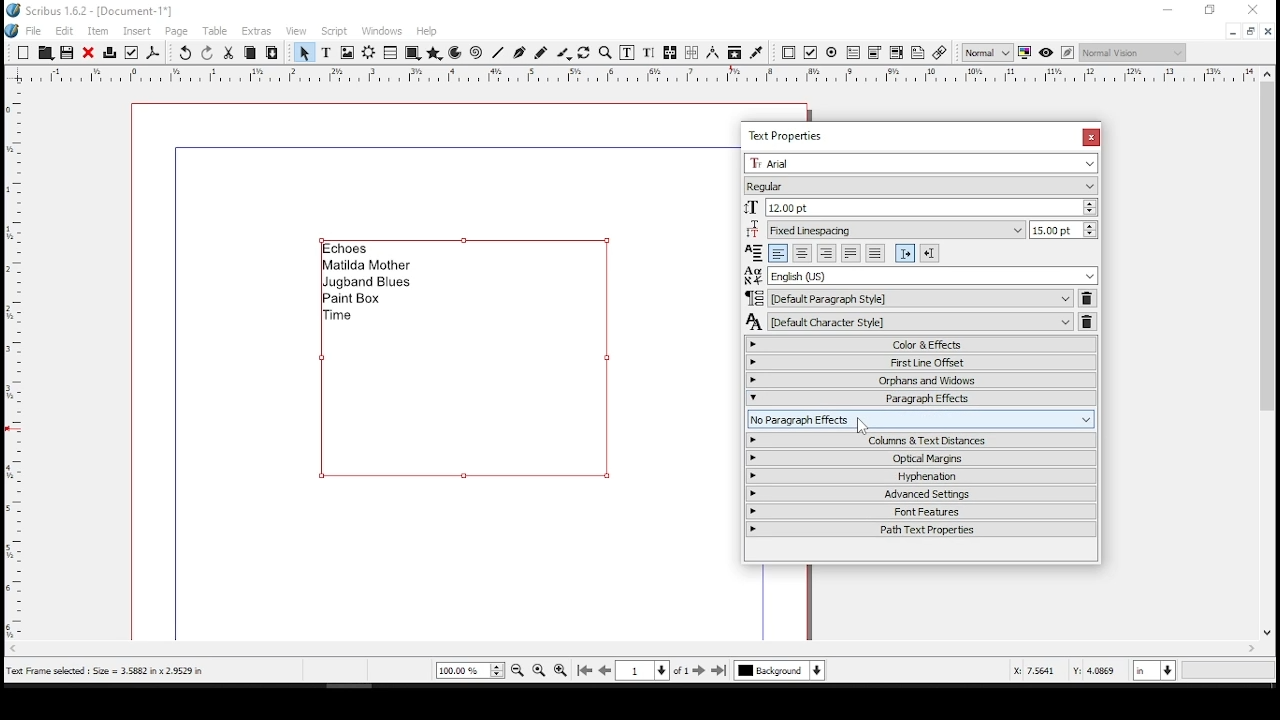 Image resolution: width=1280 pixels, height=720 pixels. What do you see at coordinates (780, 670) in the screenshot?
I see `select layer` at bounding box center [780, 670].